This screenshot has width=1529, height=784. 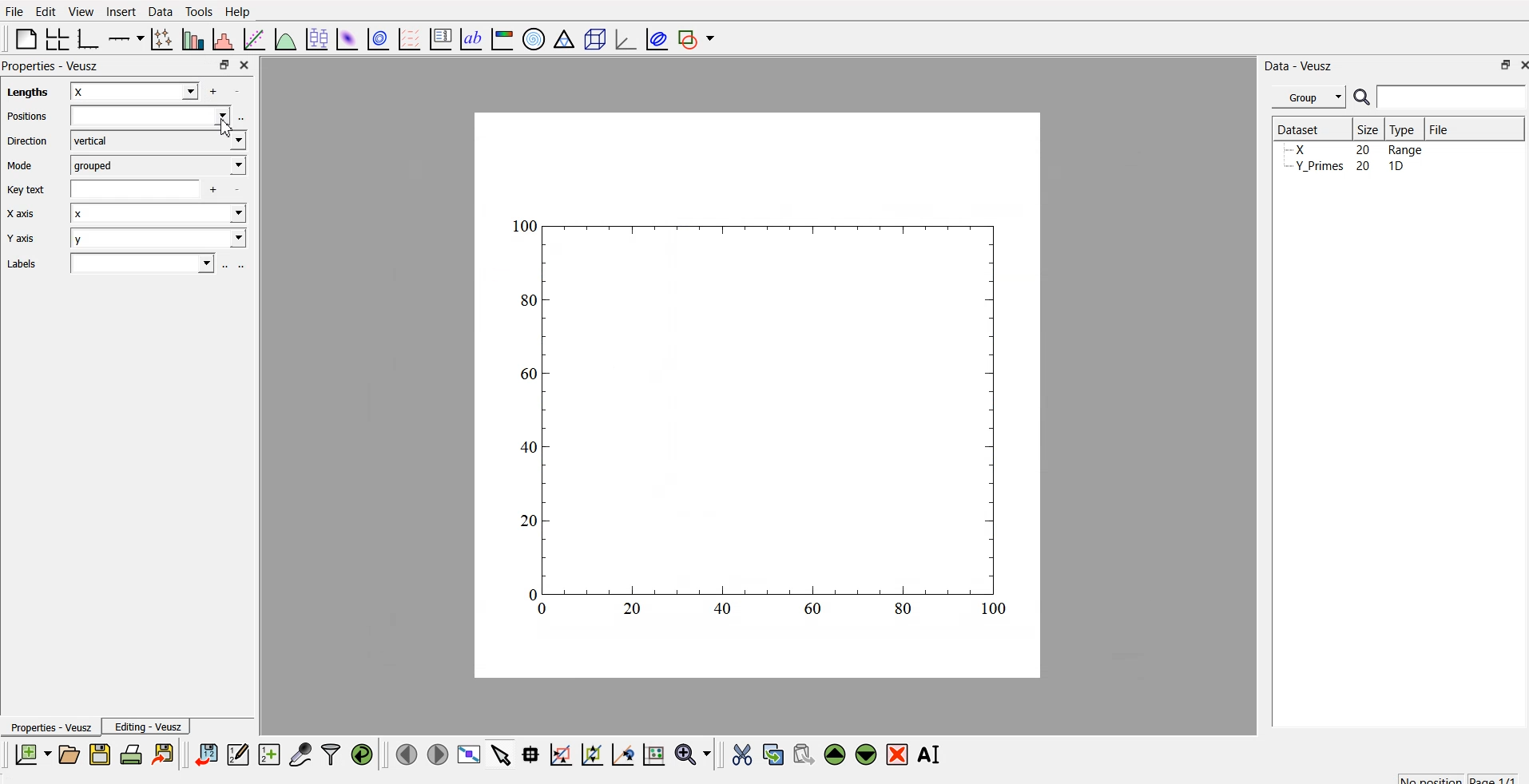 I want to click on fit function to data, so click(x=252, y=38).